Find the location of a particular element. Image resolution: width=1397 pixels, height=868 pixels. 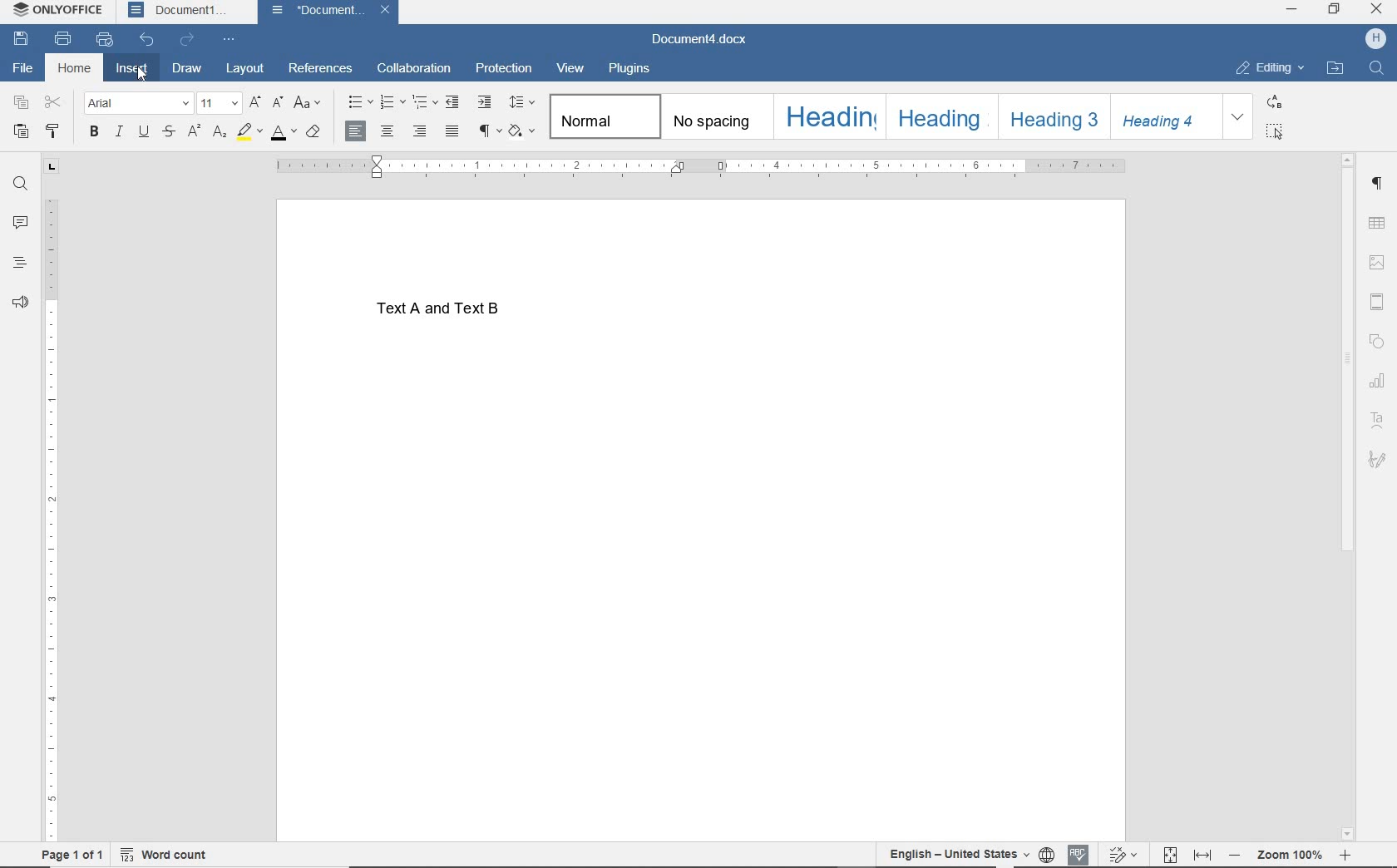

SHADING is located at coordinates (523, 133).